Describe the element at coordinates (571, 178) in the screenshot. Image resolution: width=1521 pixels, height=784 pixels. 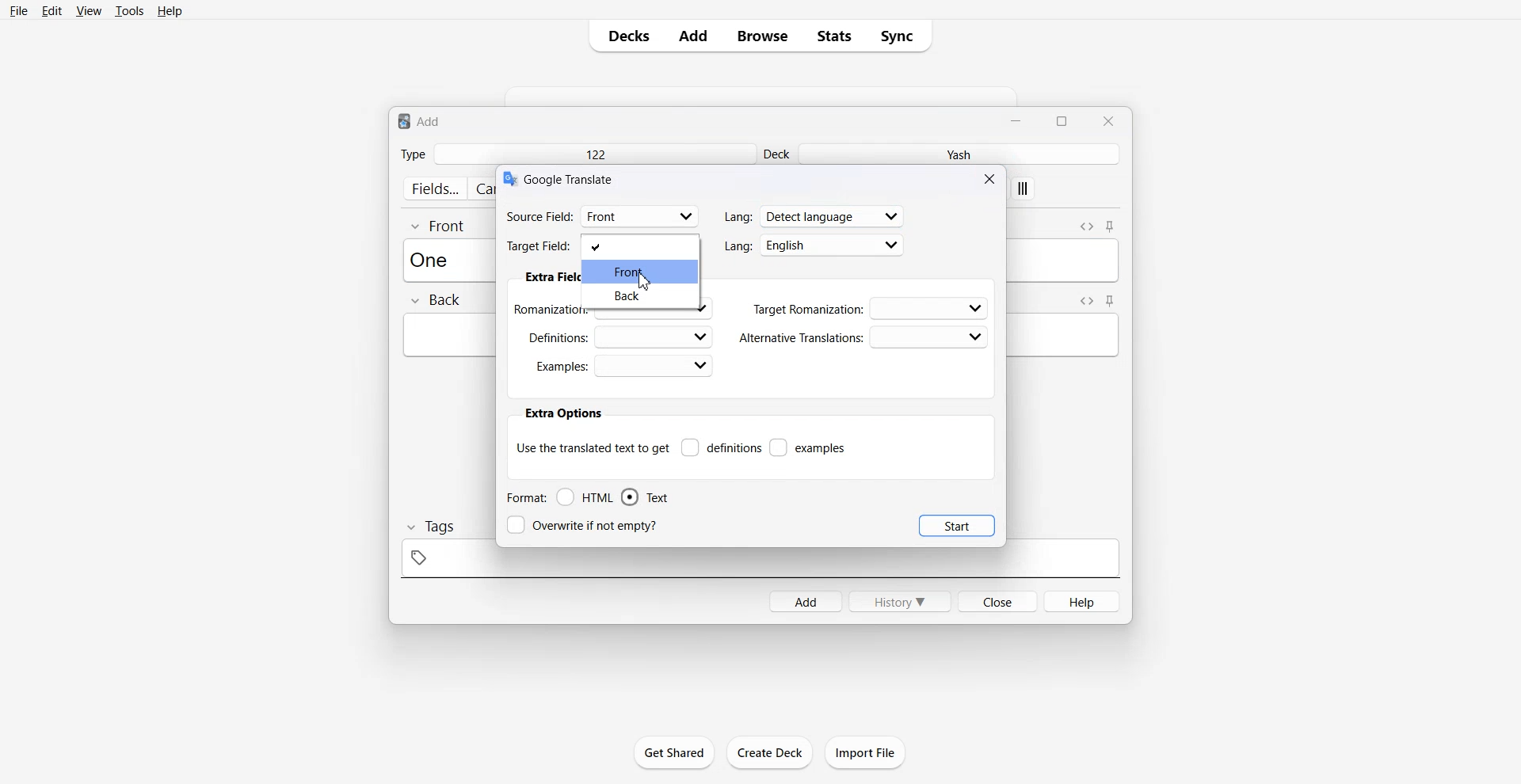
I see `Text` at that location.